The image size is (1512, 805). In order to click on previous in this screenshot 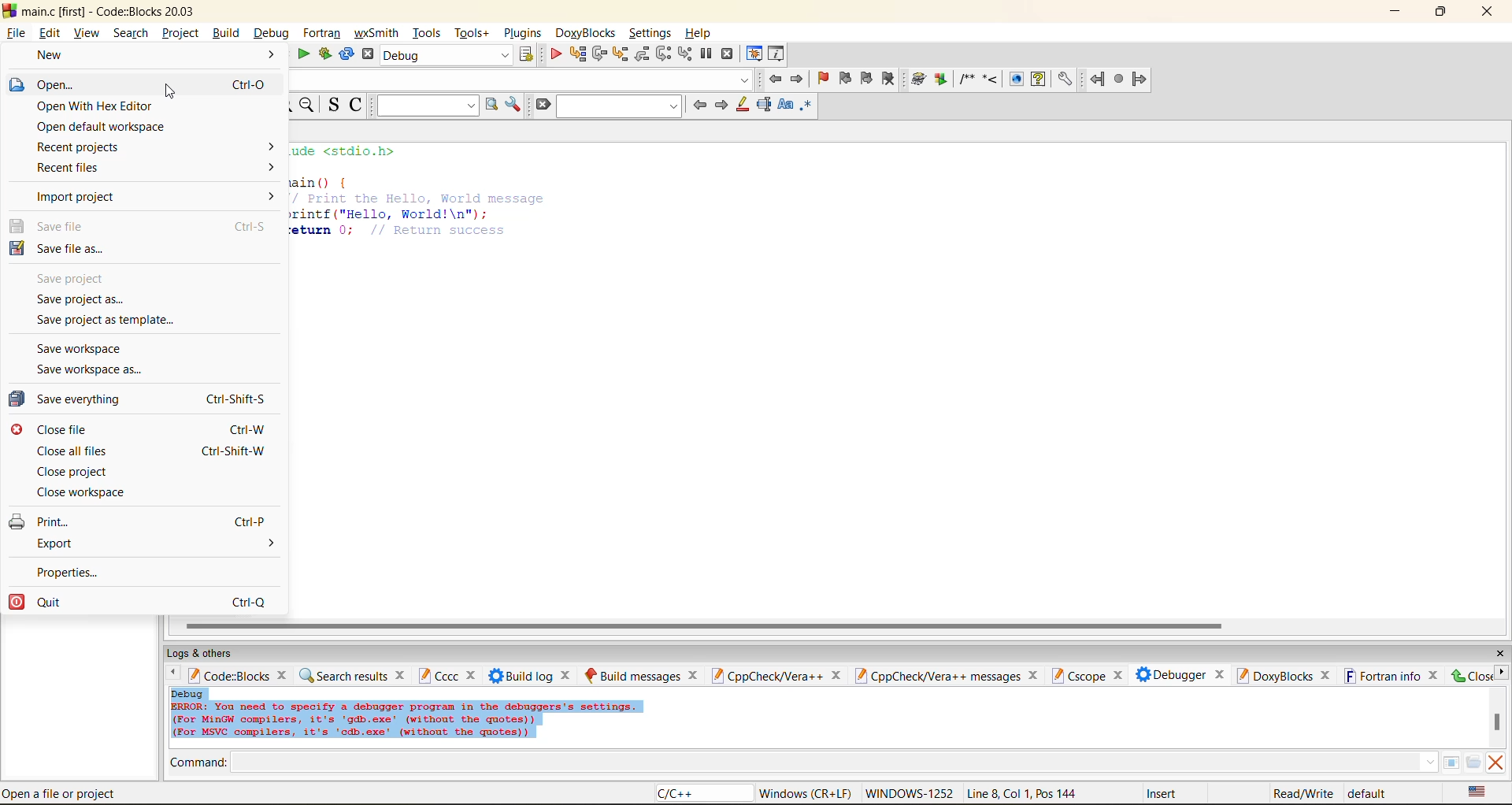, I will do `click(169, 674)`.